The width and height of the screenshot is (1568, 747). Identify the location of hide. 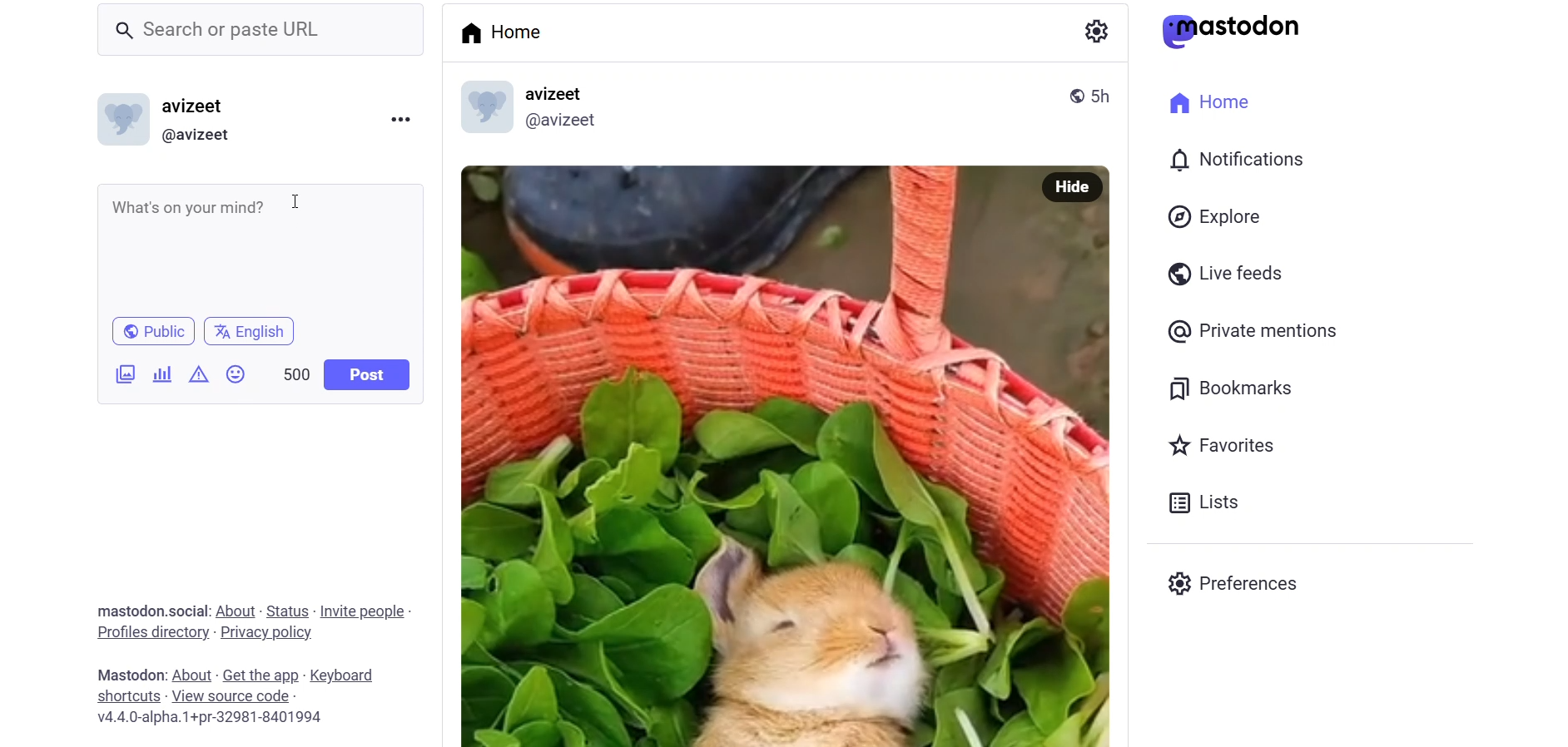
(1078, 186).